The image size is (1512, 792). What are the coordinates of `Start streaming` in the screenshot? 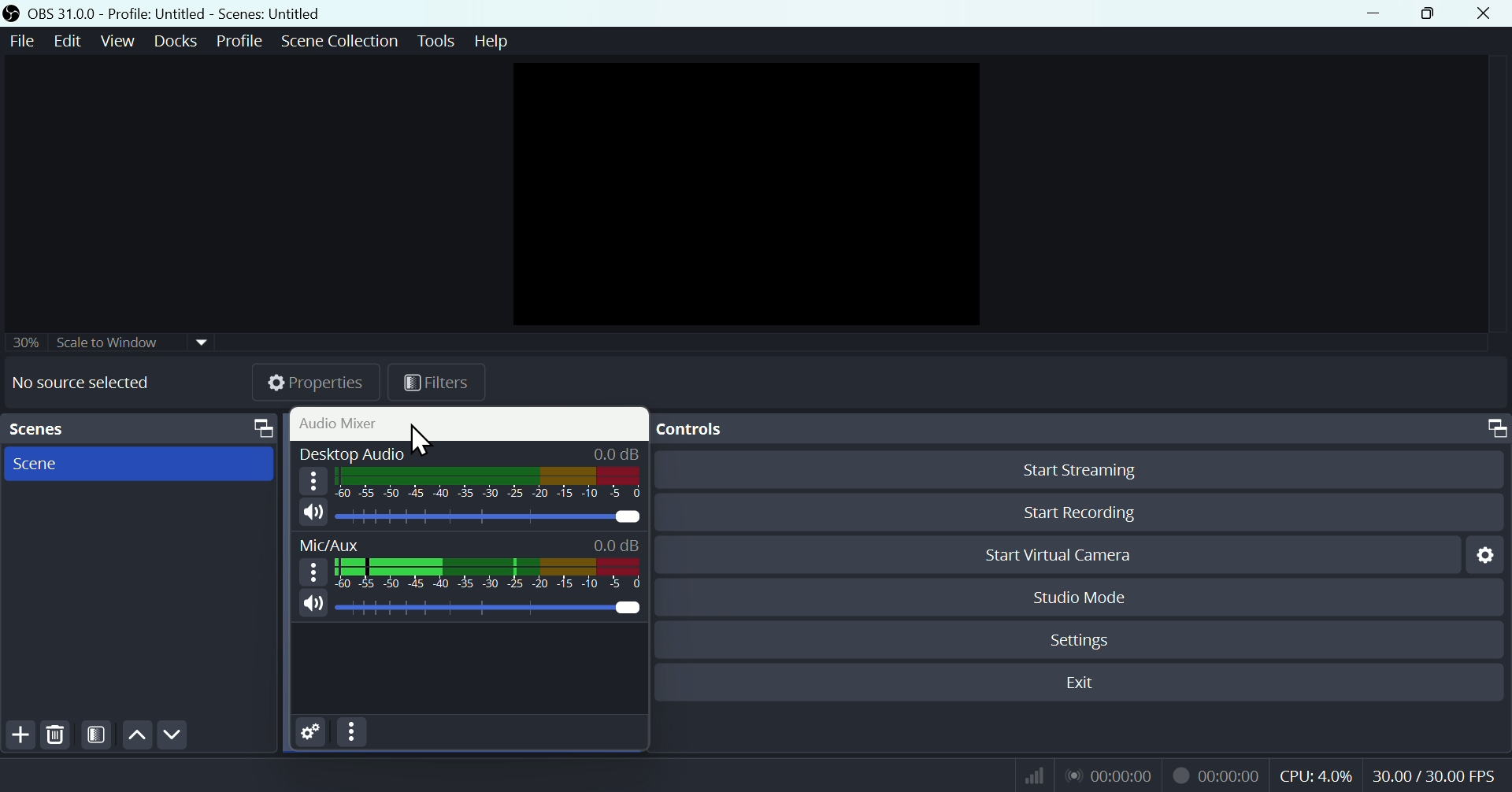 It's located at (1080, 472).